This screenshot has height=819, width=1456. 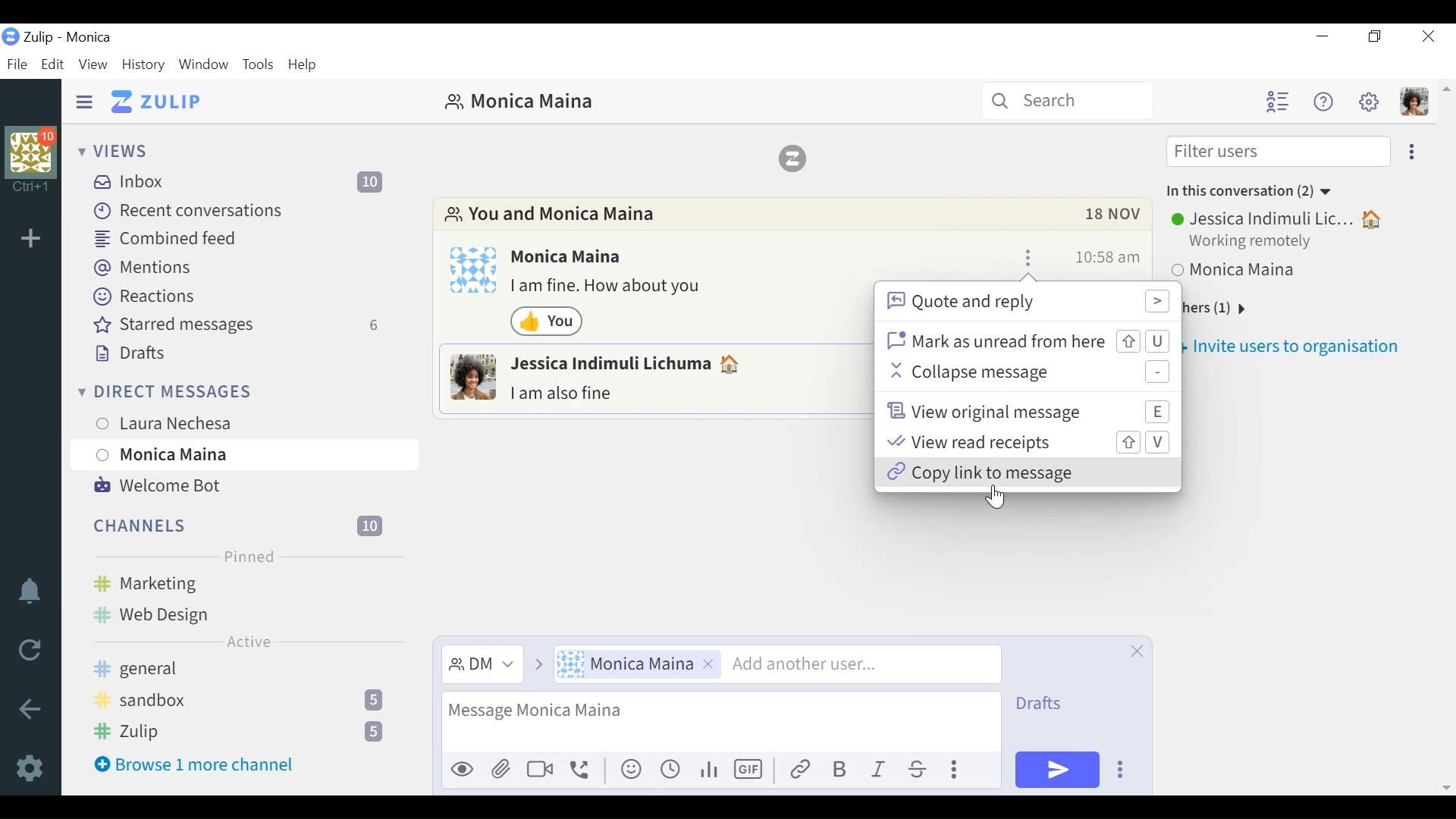 I want to click on Working remotely, so click(x=1255, y=244).